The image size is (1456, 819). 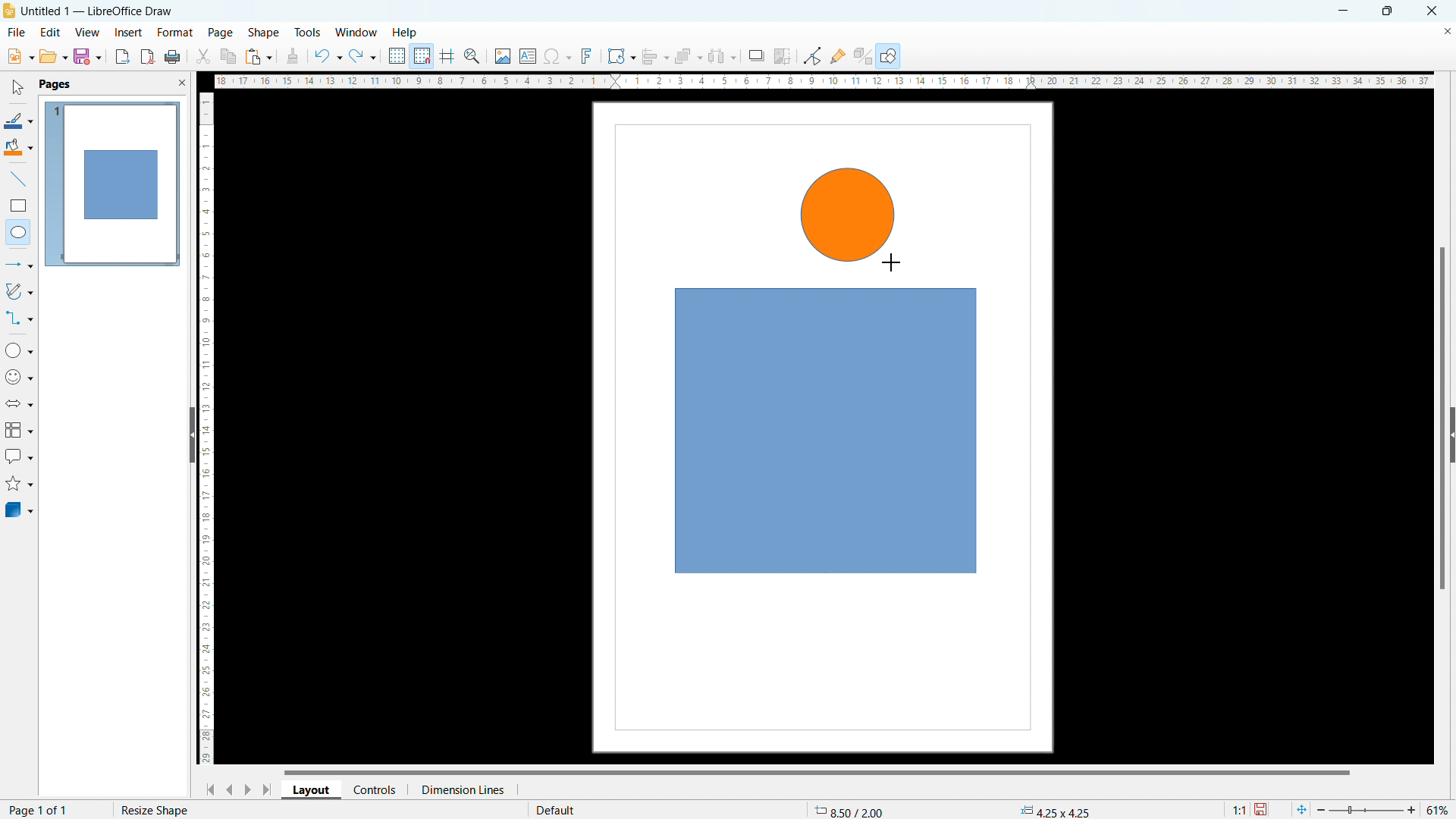 What do you see at coordinates (123, 56) in the screenshot?
I see `export` at bounding box center [123, 56].